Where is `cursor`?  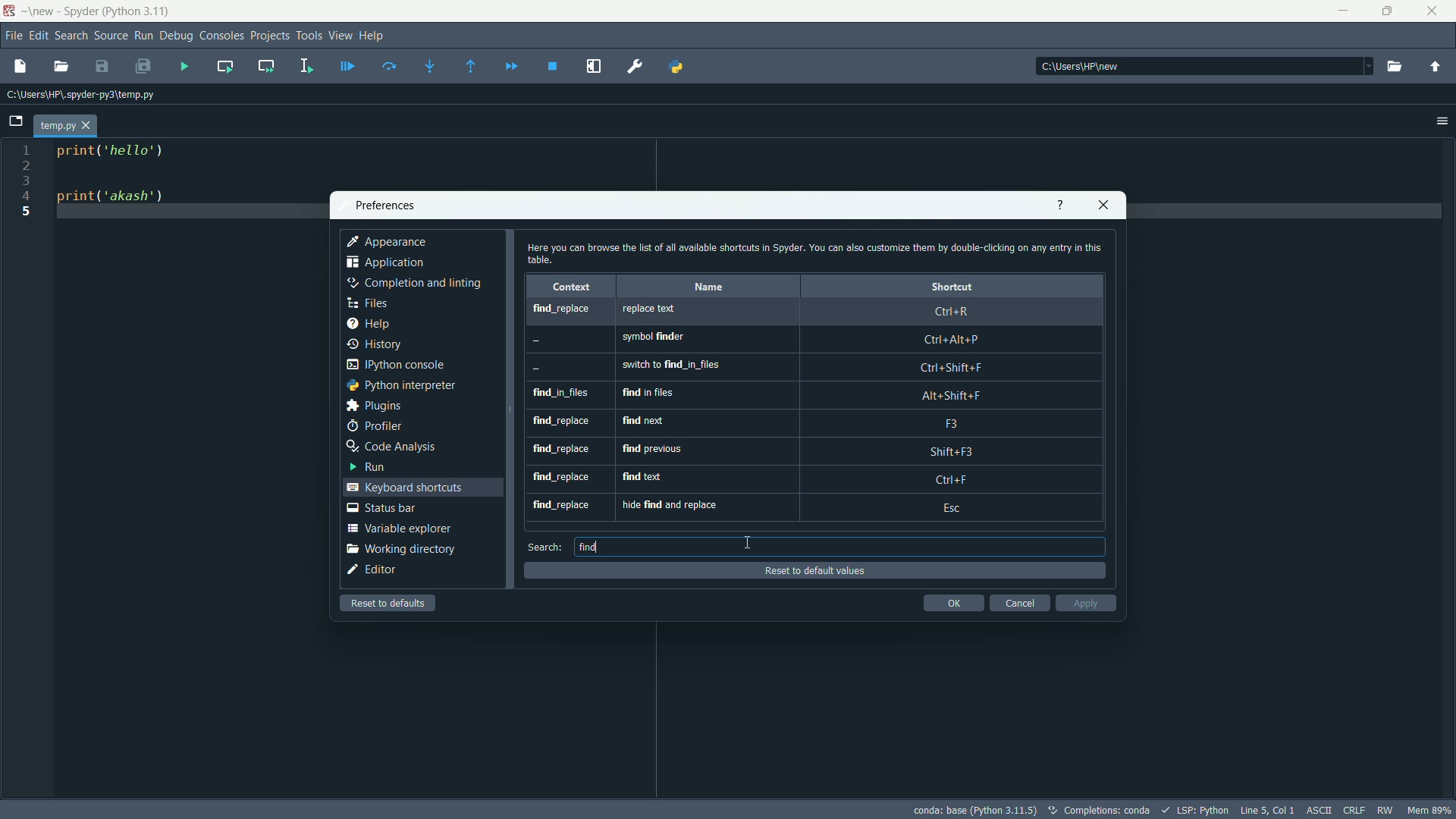 cursor is located at coordinates (748, 542).